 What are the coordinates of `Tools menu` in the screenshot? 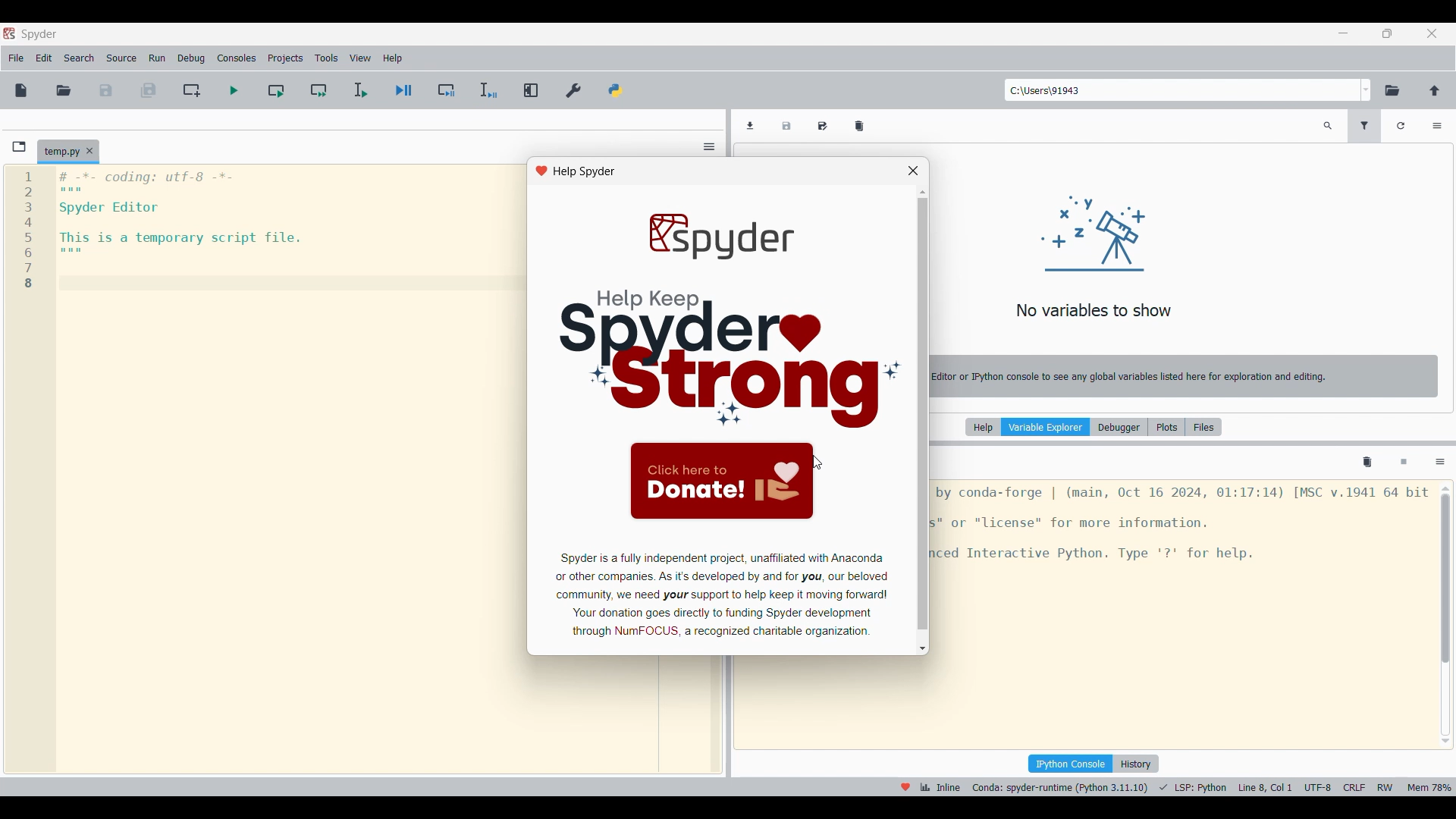 It's located at (327, 58).